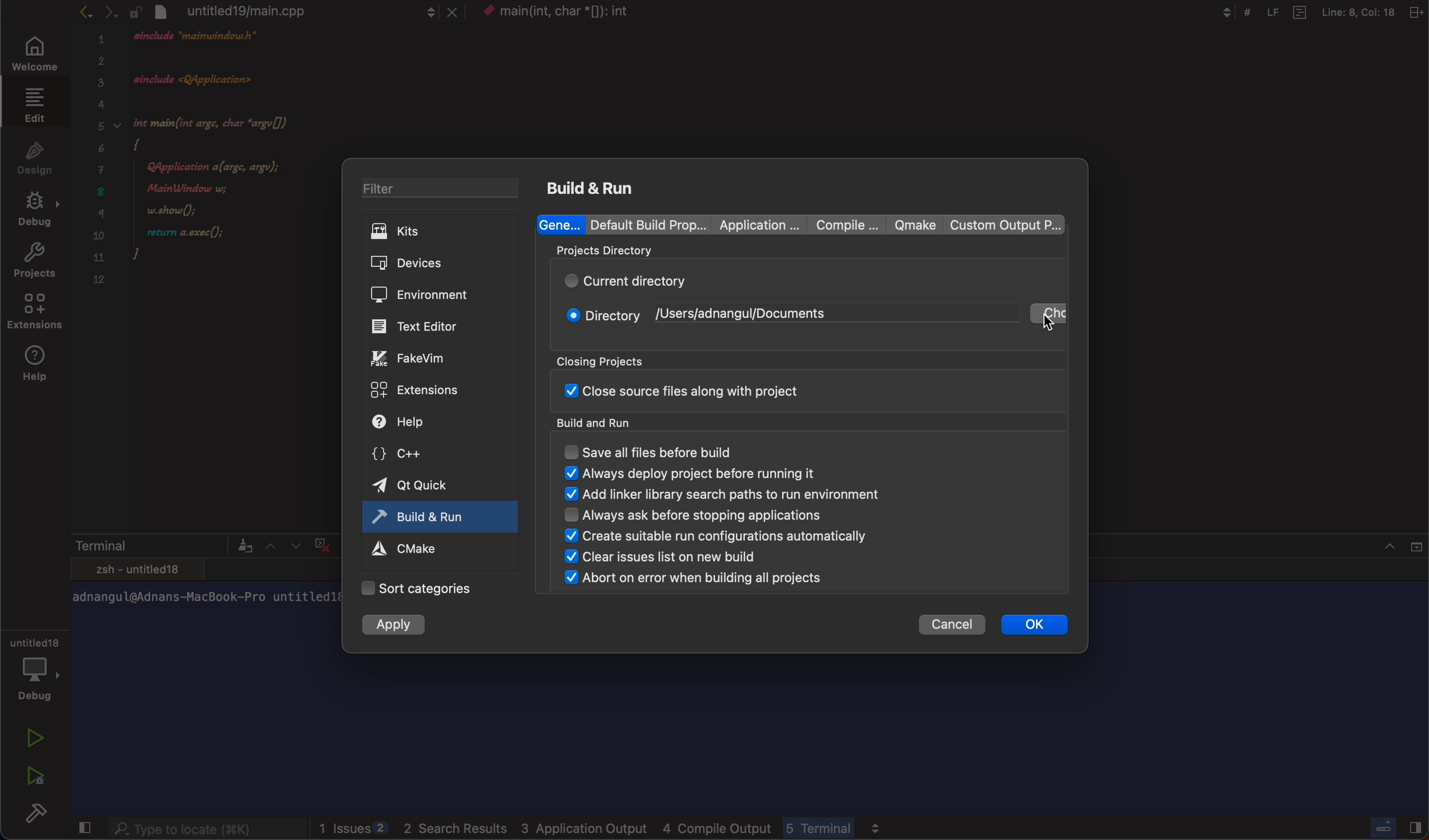 The width and height of the screenshot is (1429, 840). What do you see at coordinates (35, 54) in the screenshot?
I see `welcome` at bounding box center [35, 54].